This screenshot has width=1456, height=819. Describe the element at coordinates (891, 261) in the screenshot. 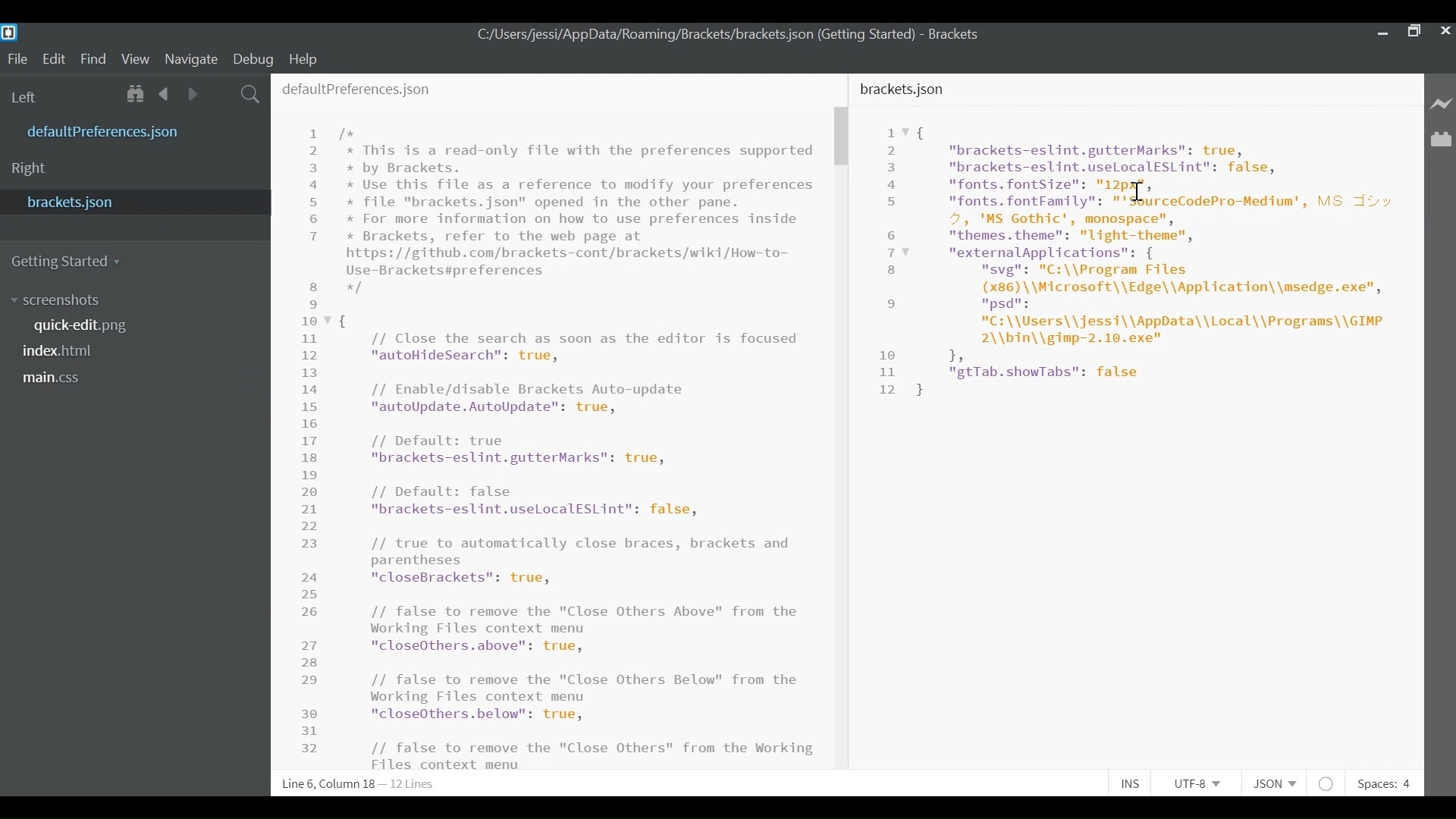

I see `Line Number` at that location.